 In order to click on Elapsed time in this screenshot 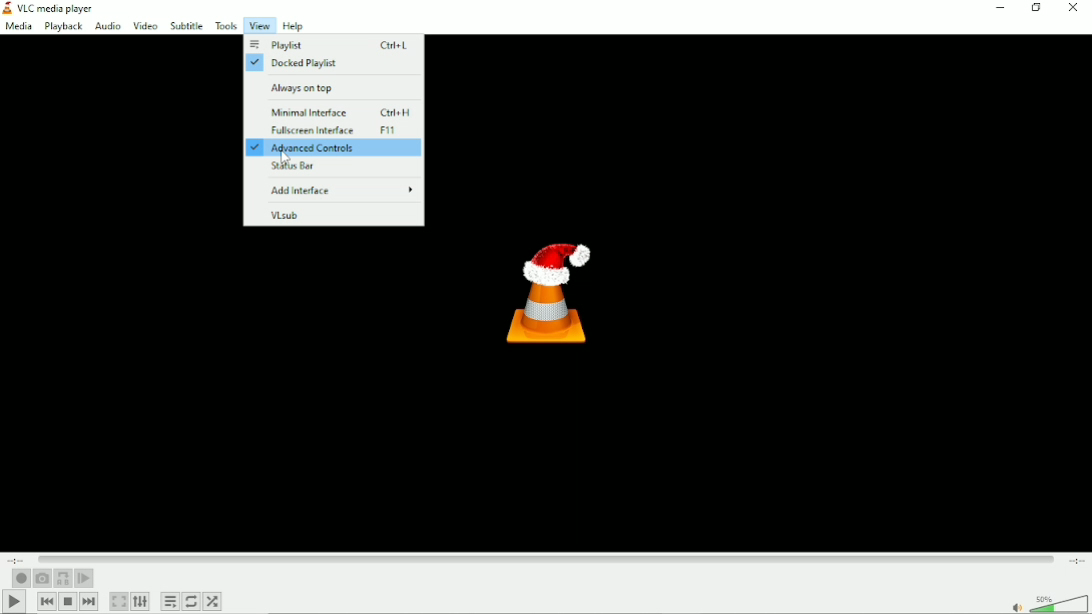, I will do `click(19, 558)`.